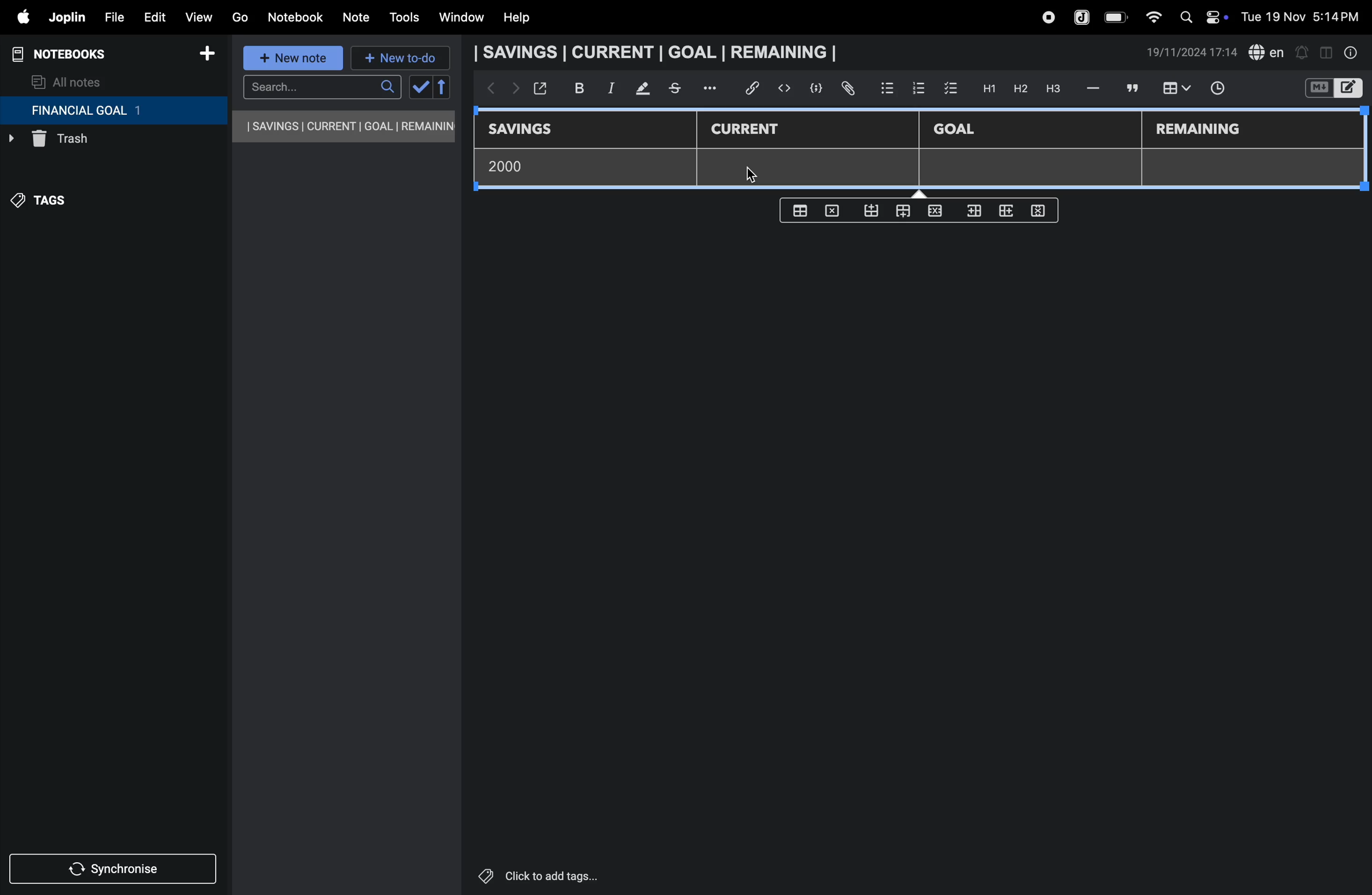 Image resolution: width=1372 pixels, height=895 pixels. What do you see at coordinates (514, 166) in the screenshot?
I see `2000` at bounding box center [514, 166].